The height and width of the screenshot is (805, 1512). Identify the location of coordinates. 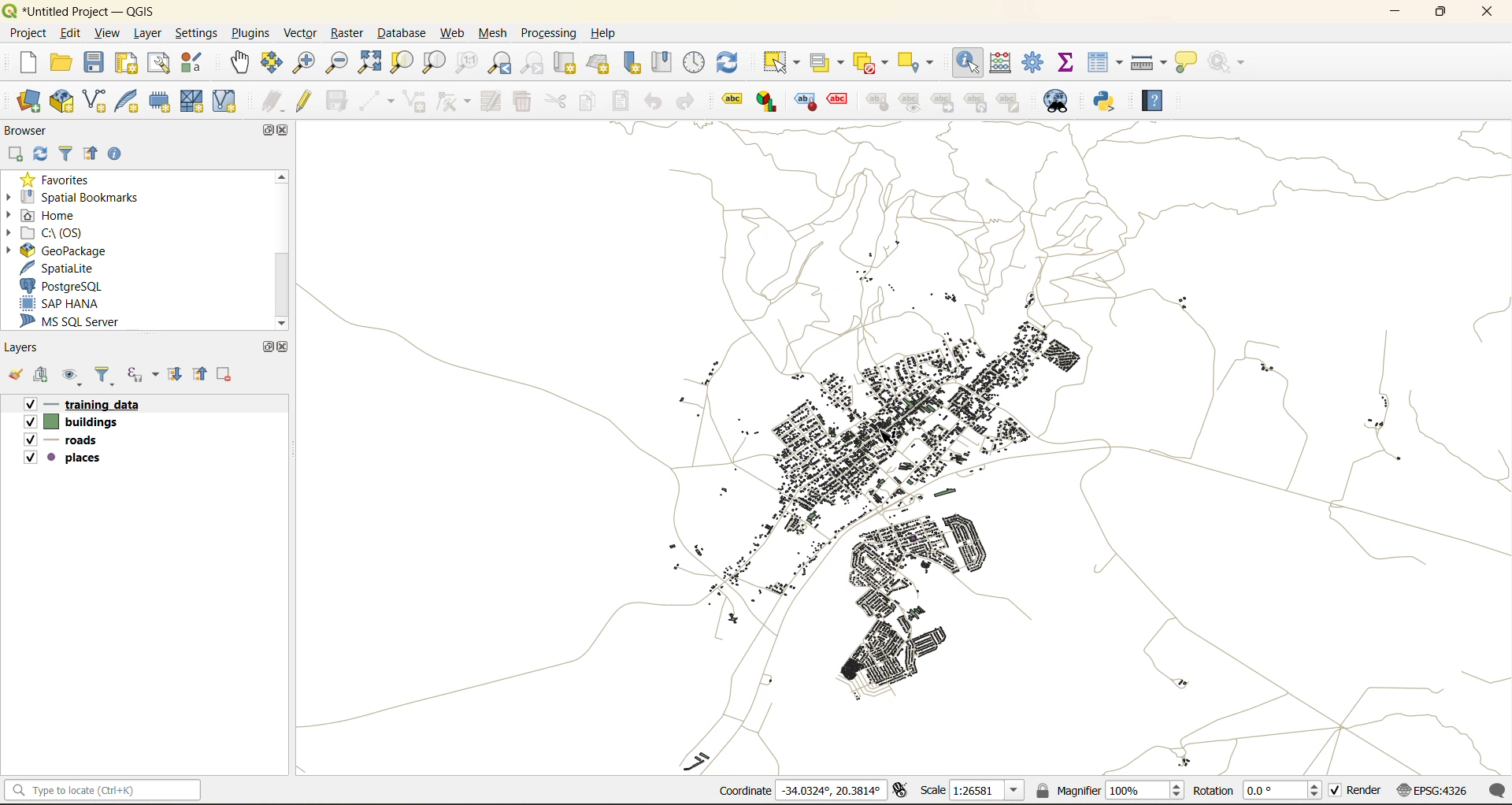
(799, 792).